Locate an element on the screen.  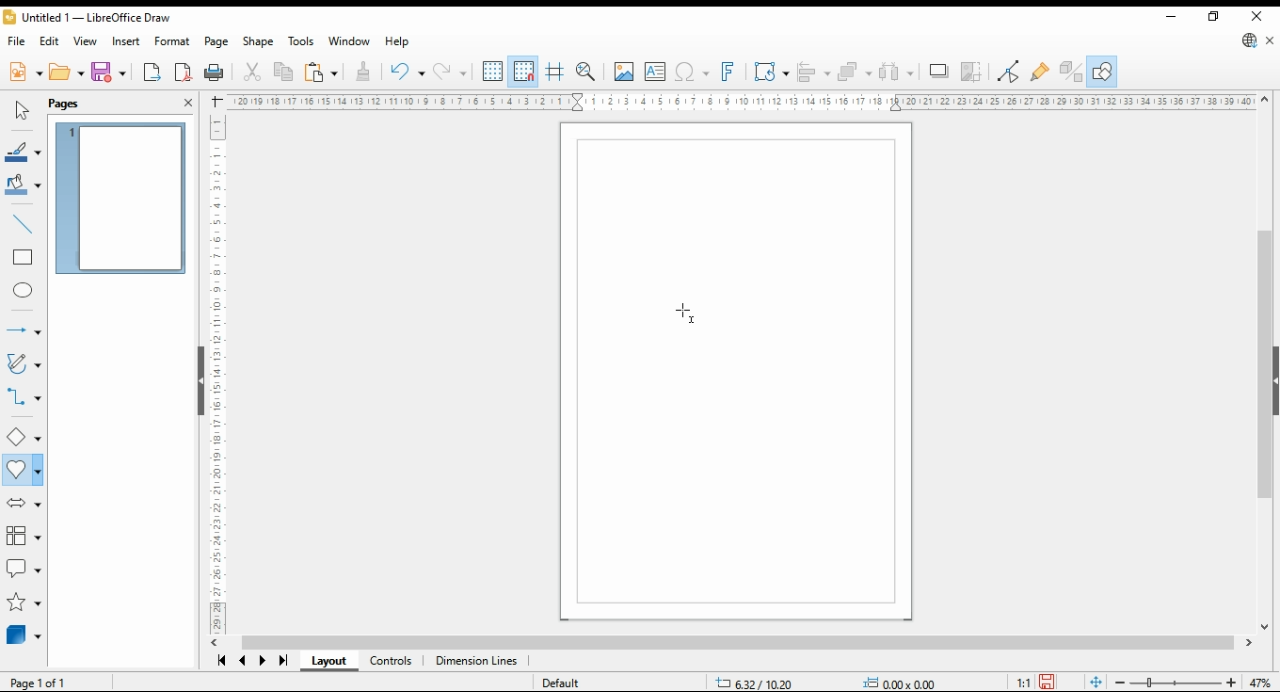
display grid is located at coordinates (493, 72).